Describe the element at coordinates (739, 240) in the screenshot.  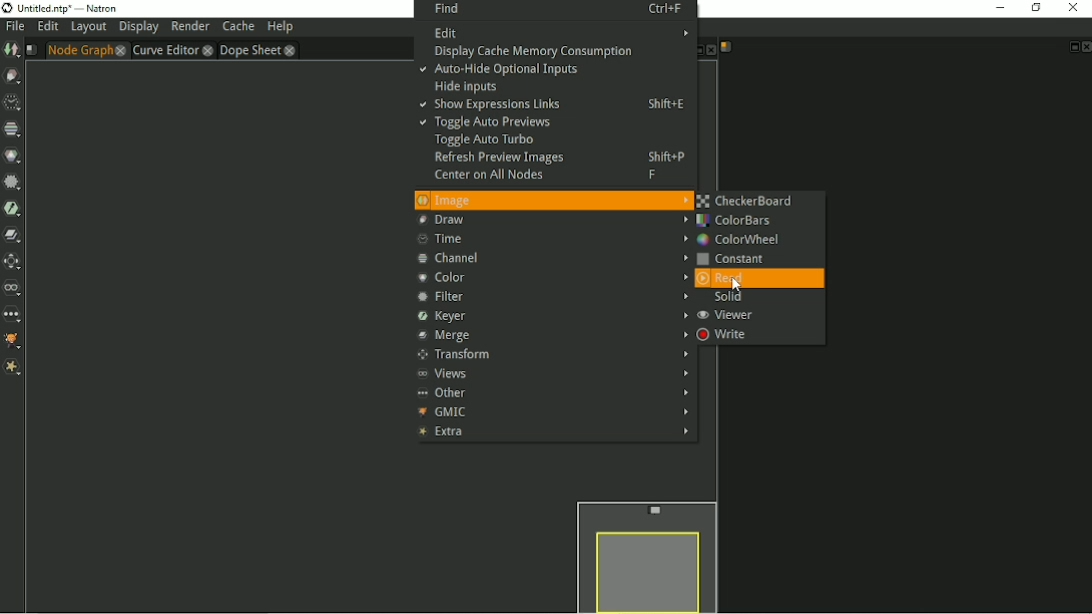
I see `ColorWheel` at that location.